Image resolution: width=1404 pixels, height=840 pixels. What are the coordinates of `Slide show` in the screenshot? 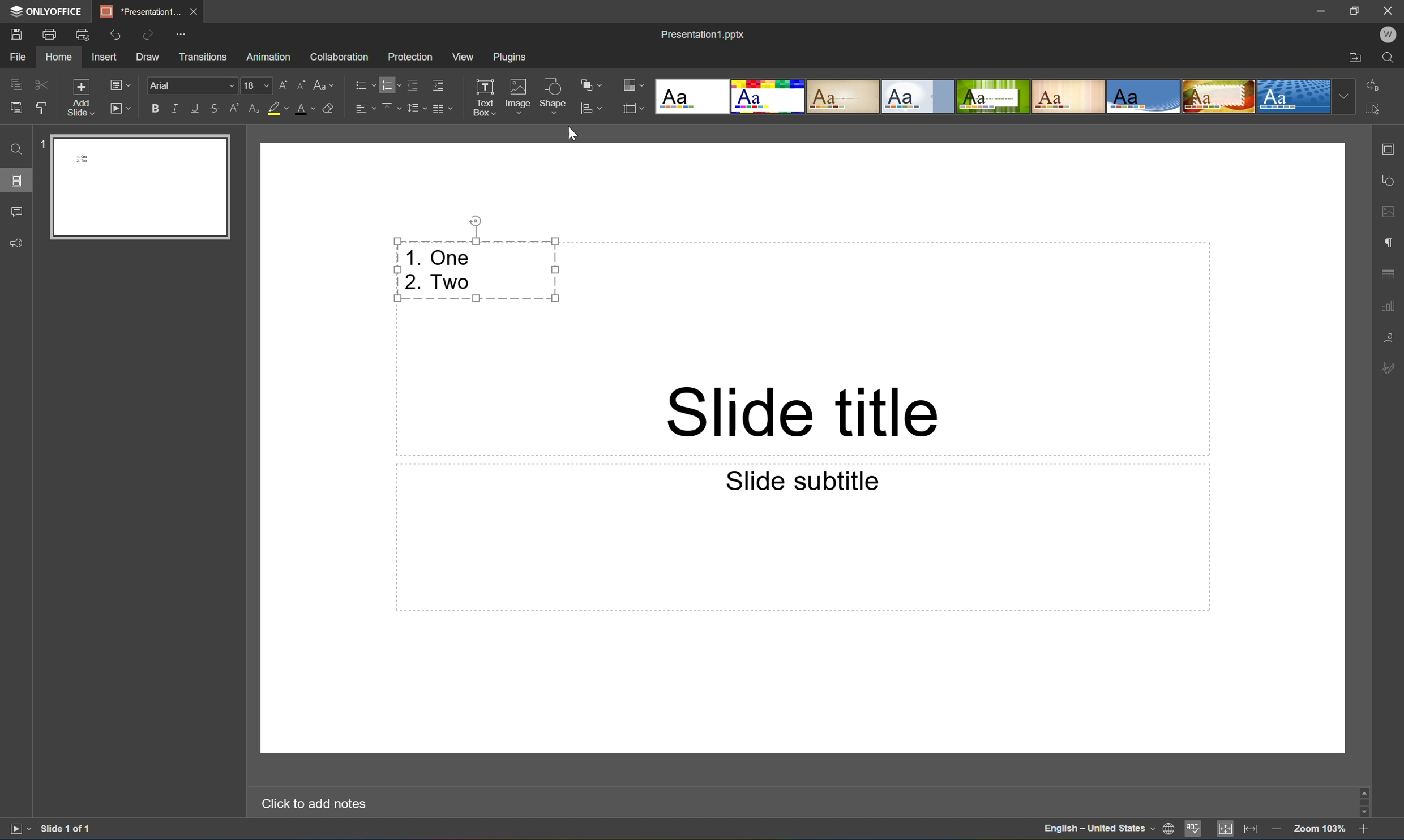 It's located at (121, 109).